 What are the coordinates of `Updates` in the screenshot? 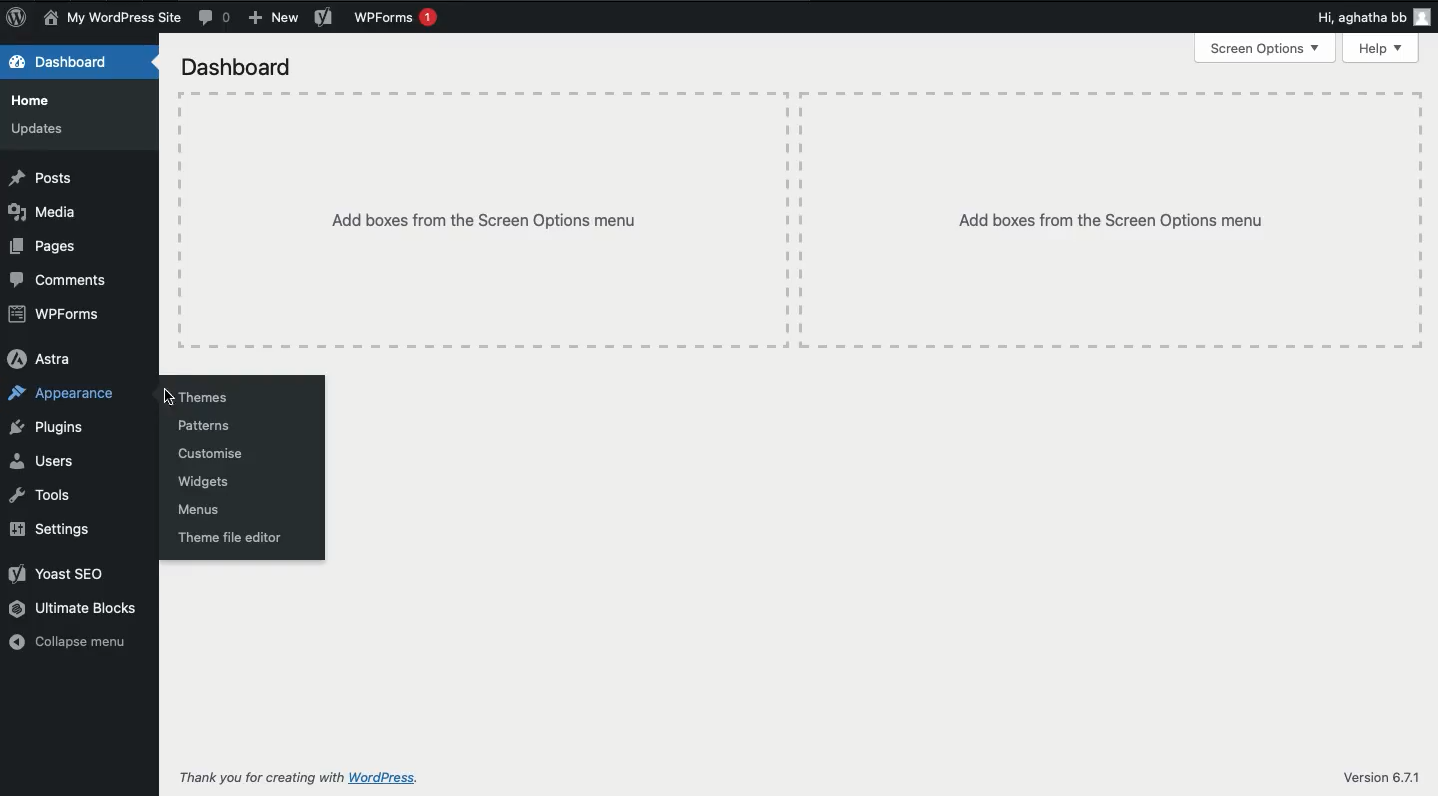 It's located at (41, 129).